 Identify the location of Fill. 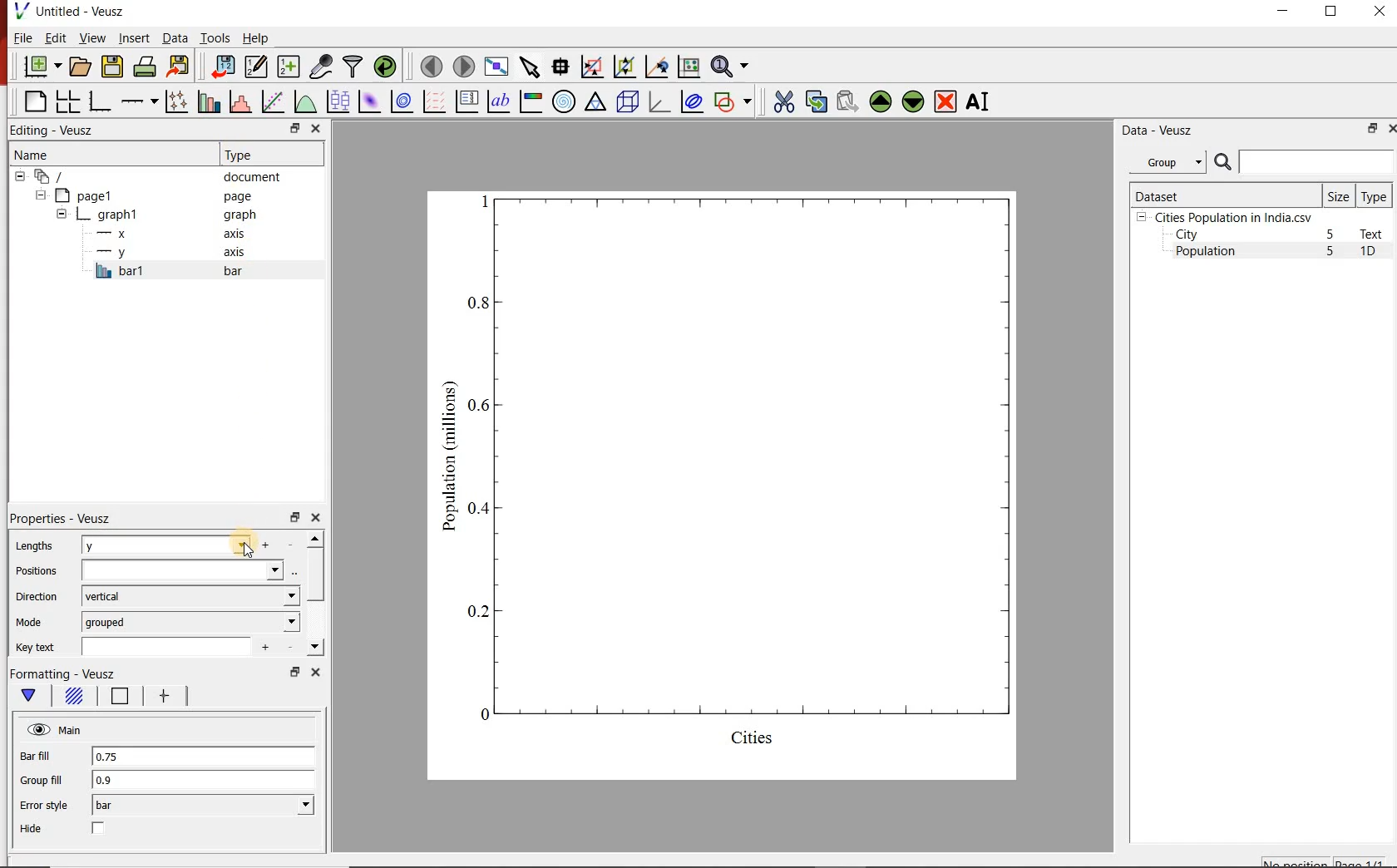
(73, 698).